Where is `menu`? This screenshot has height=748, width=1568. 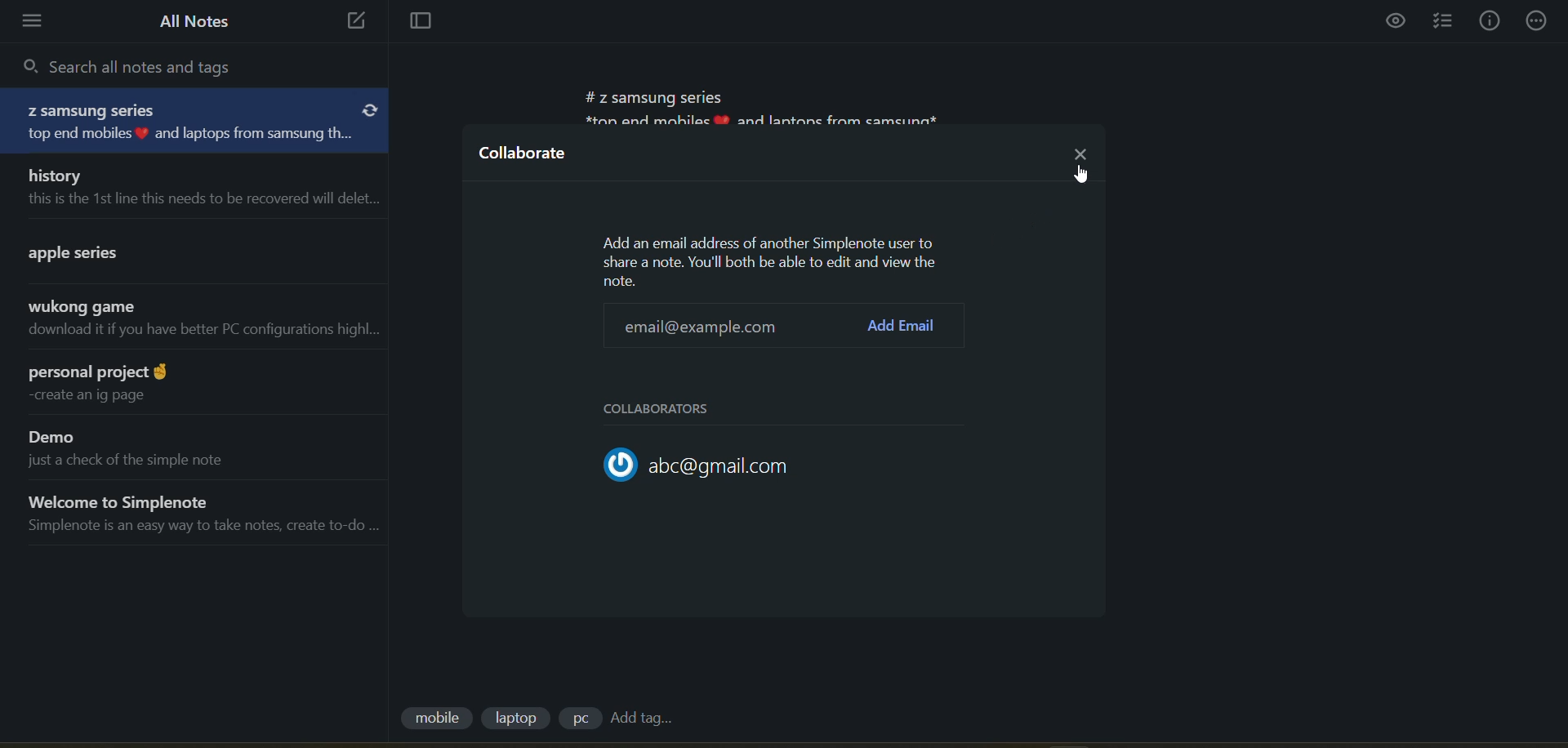 menu is located at coordinates (38, 21).